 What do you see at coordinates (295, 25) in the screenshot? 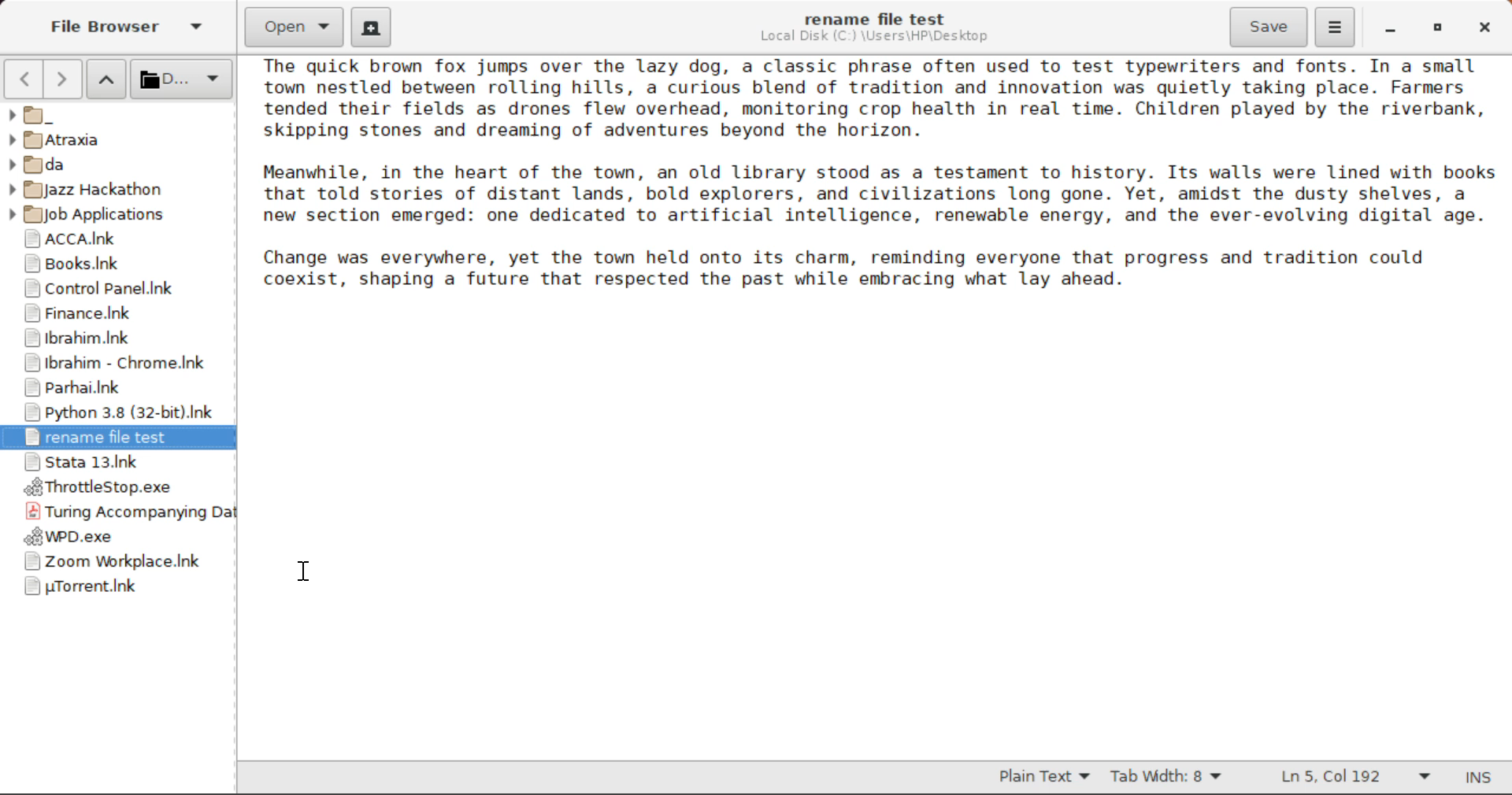
I see `Open Document` at bounding box center [295, 25].